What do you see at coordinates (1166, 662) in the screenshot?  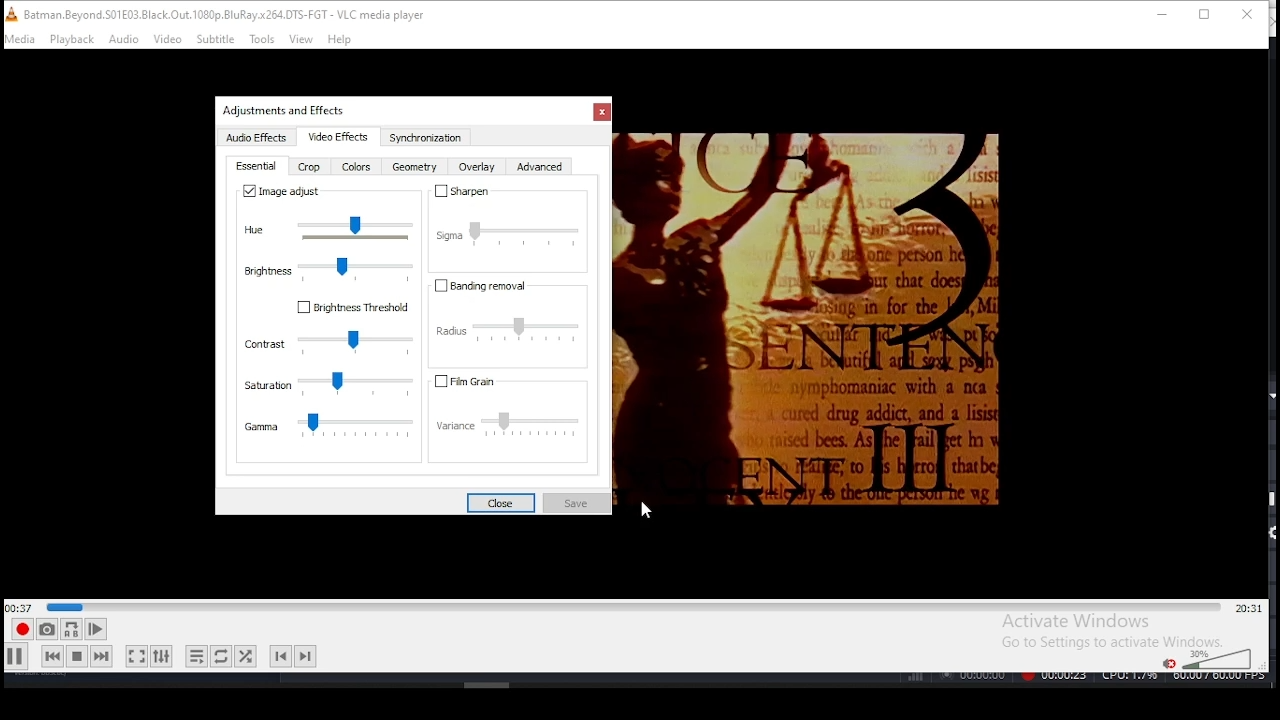 I see `mute/unmute` at bounding box center [1166, 662].